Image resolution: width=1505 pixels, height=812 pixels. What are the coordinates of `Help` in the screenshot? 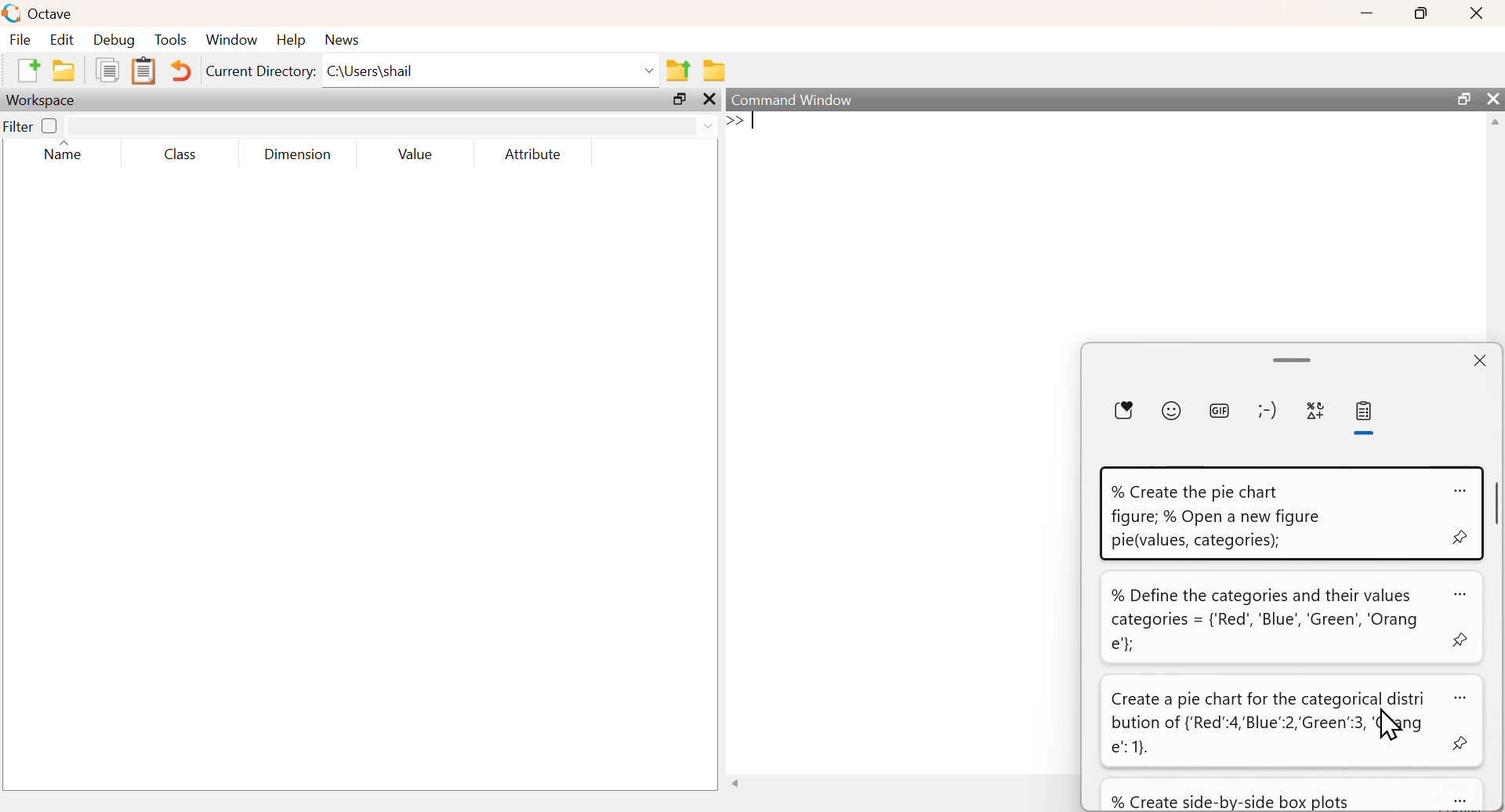 It's located at (292, 40).